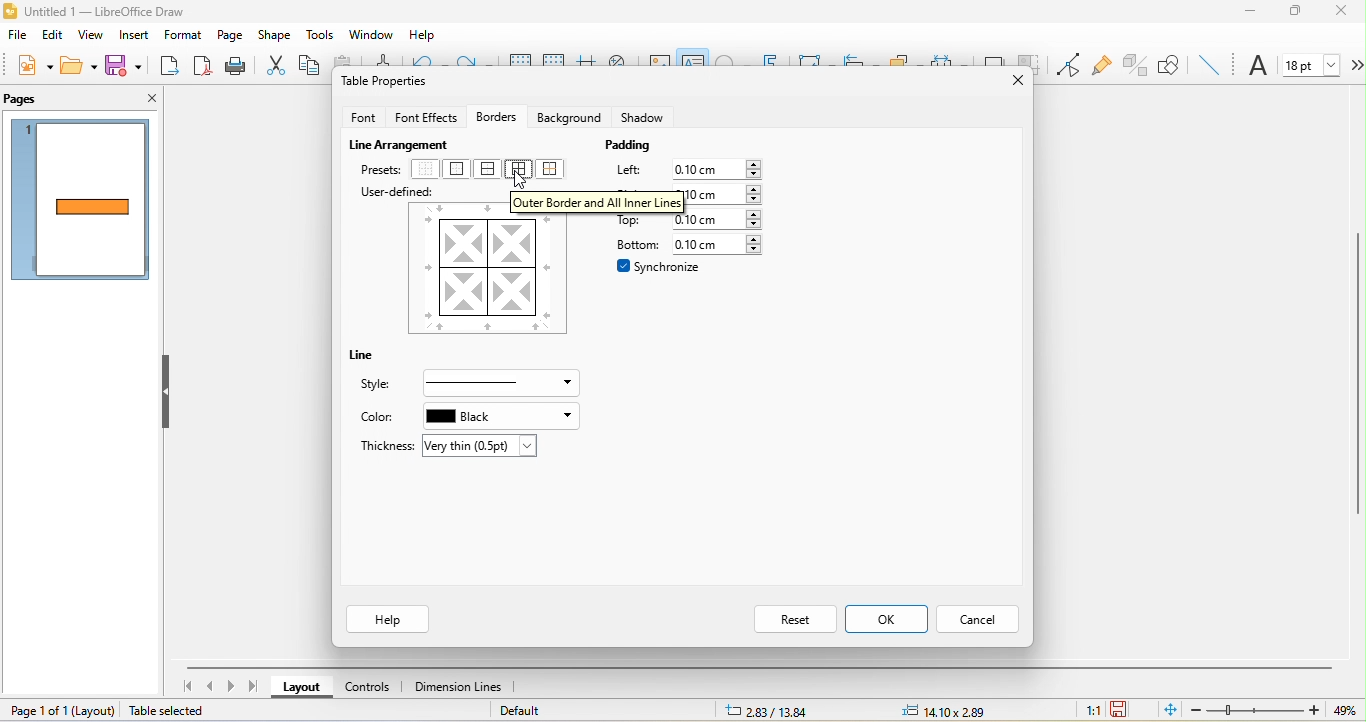 The width and height of the screenshot is (1366, 722). What do you see at coordinates (1012, 77) in the screenshot?
I see `close` at bounding box center [1012, 77].